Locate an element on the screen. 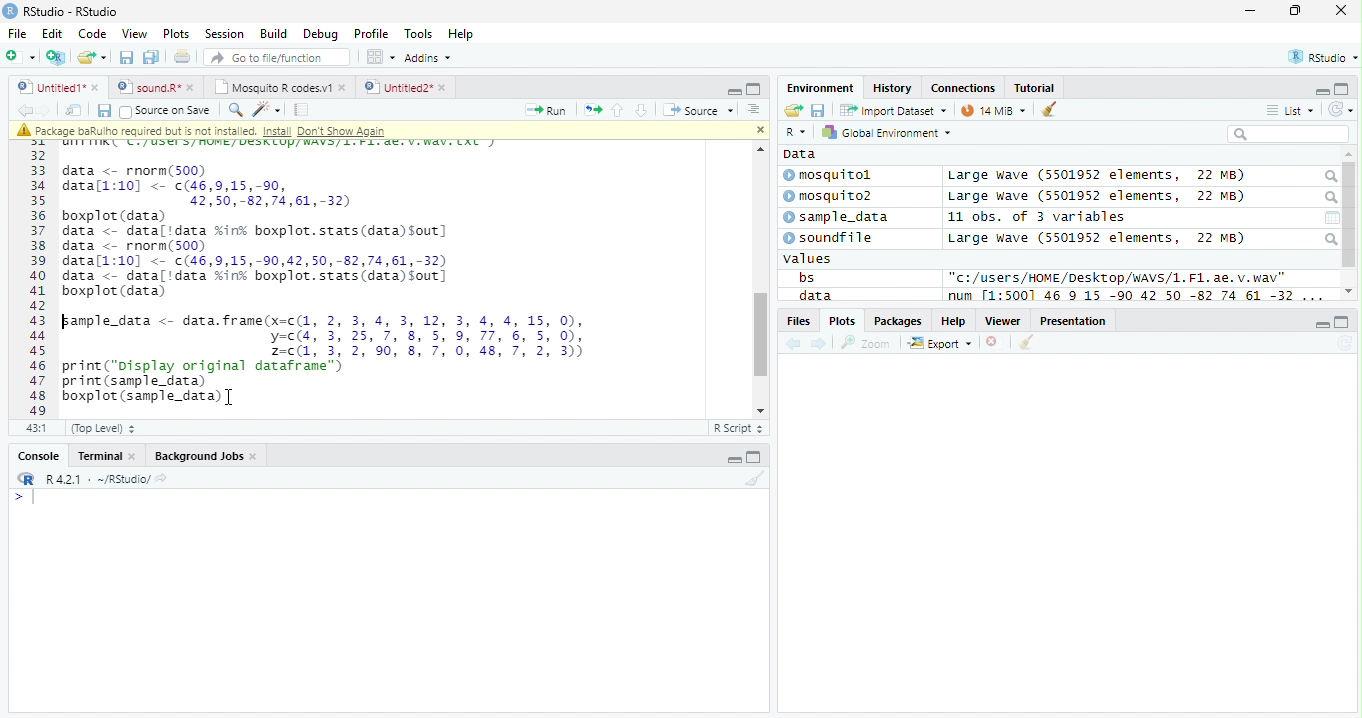 Image resolution: width=1362 pixels, height=718 pixels. Environment is located at coordinates (821, 88).